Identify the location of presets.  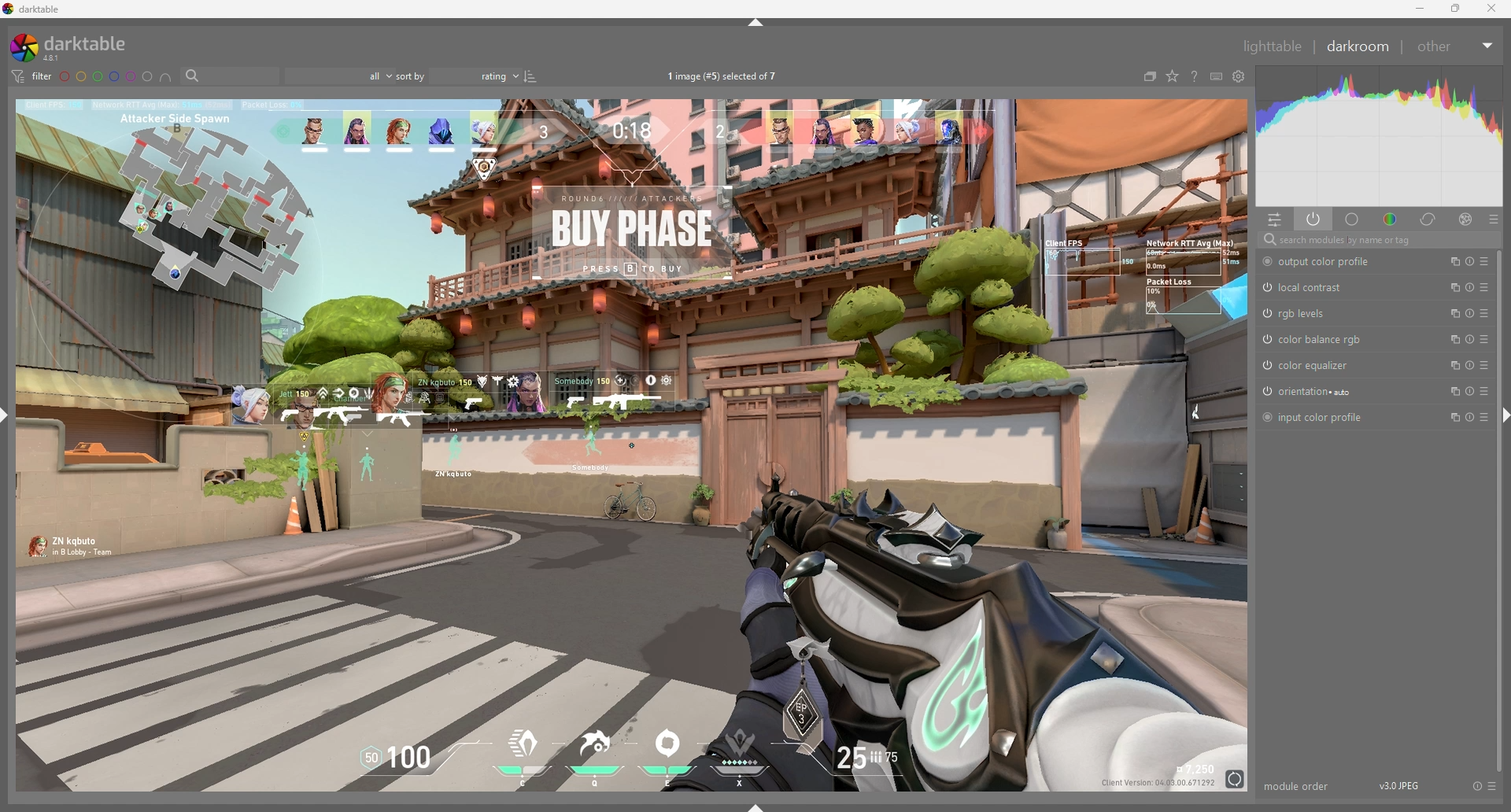
(1484, 417).